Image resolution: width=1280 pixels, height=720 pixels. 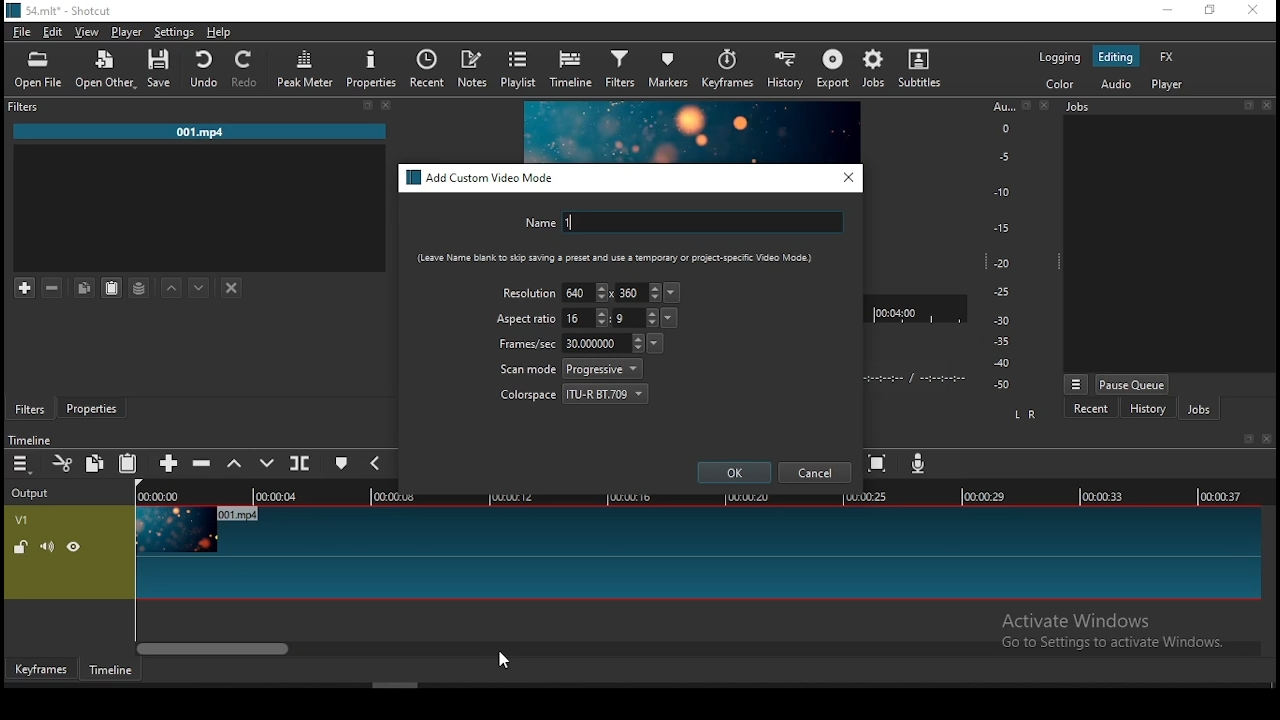 I want to click on record audio, so click(x=919, y=463).